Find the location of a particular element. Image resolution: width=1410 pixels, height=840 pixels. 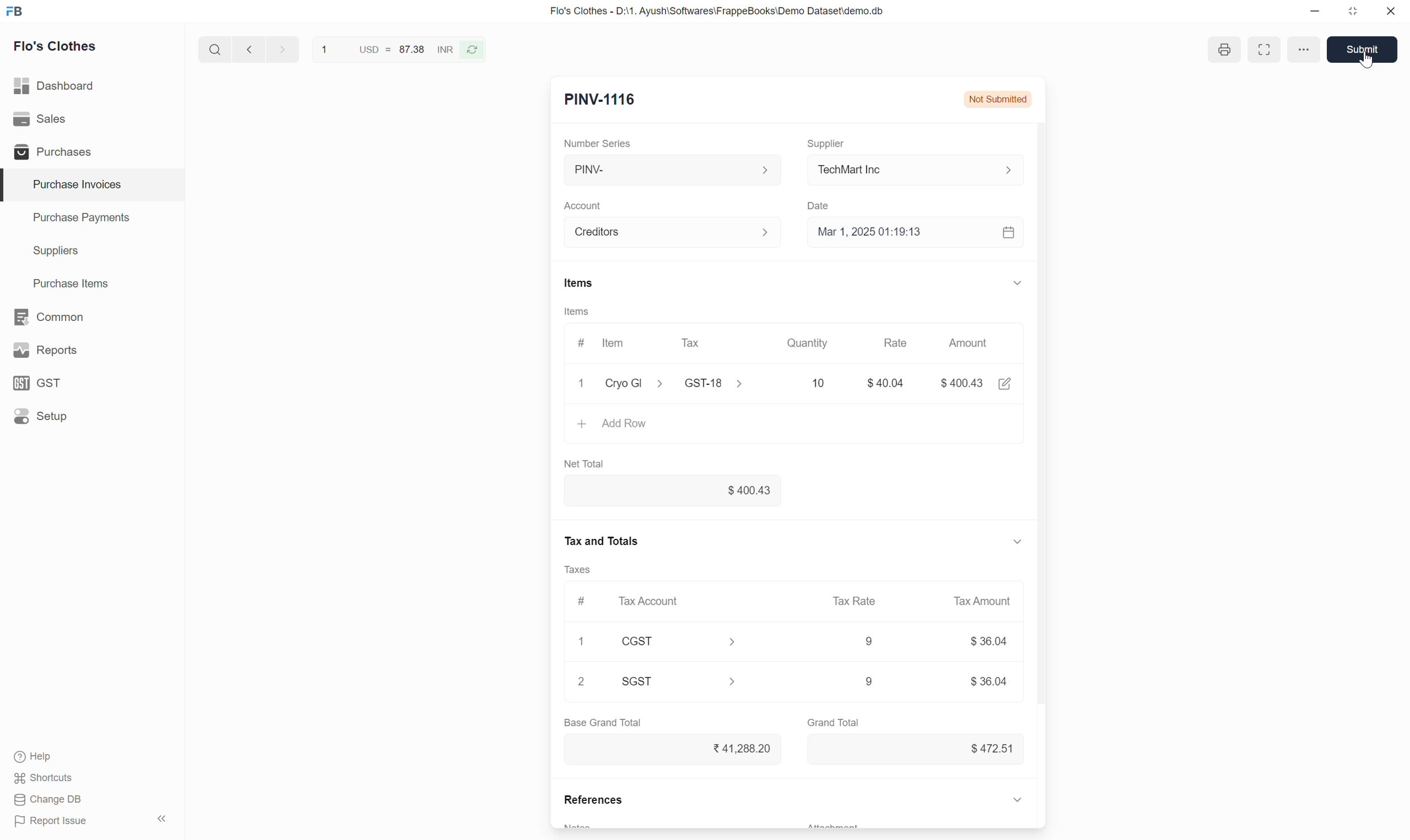

expand is located at coordinates (1019, 799).